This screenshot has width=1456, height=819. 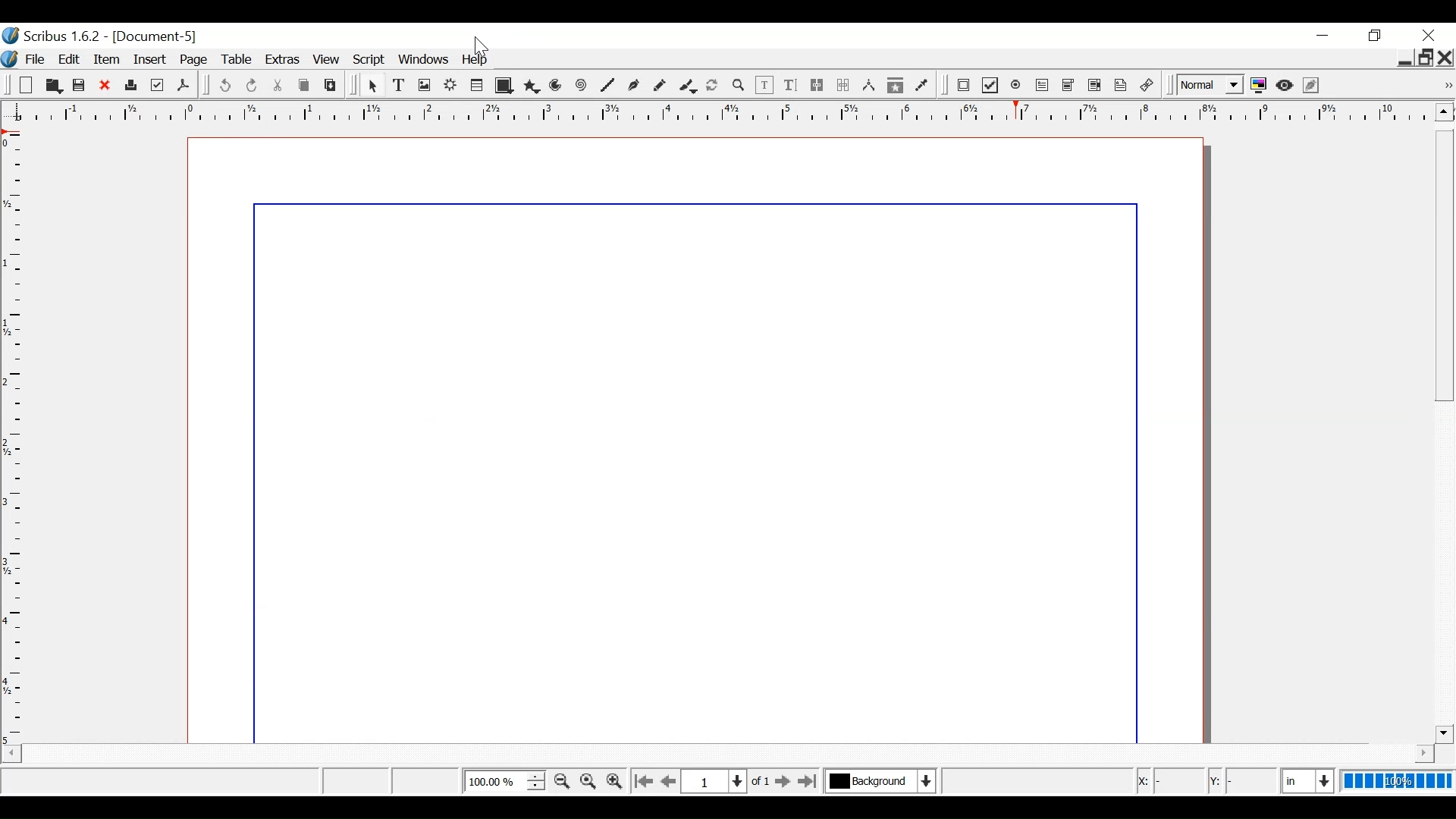 I want to click on link Annotations, so click(x=1147, y=86).